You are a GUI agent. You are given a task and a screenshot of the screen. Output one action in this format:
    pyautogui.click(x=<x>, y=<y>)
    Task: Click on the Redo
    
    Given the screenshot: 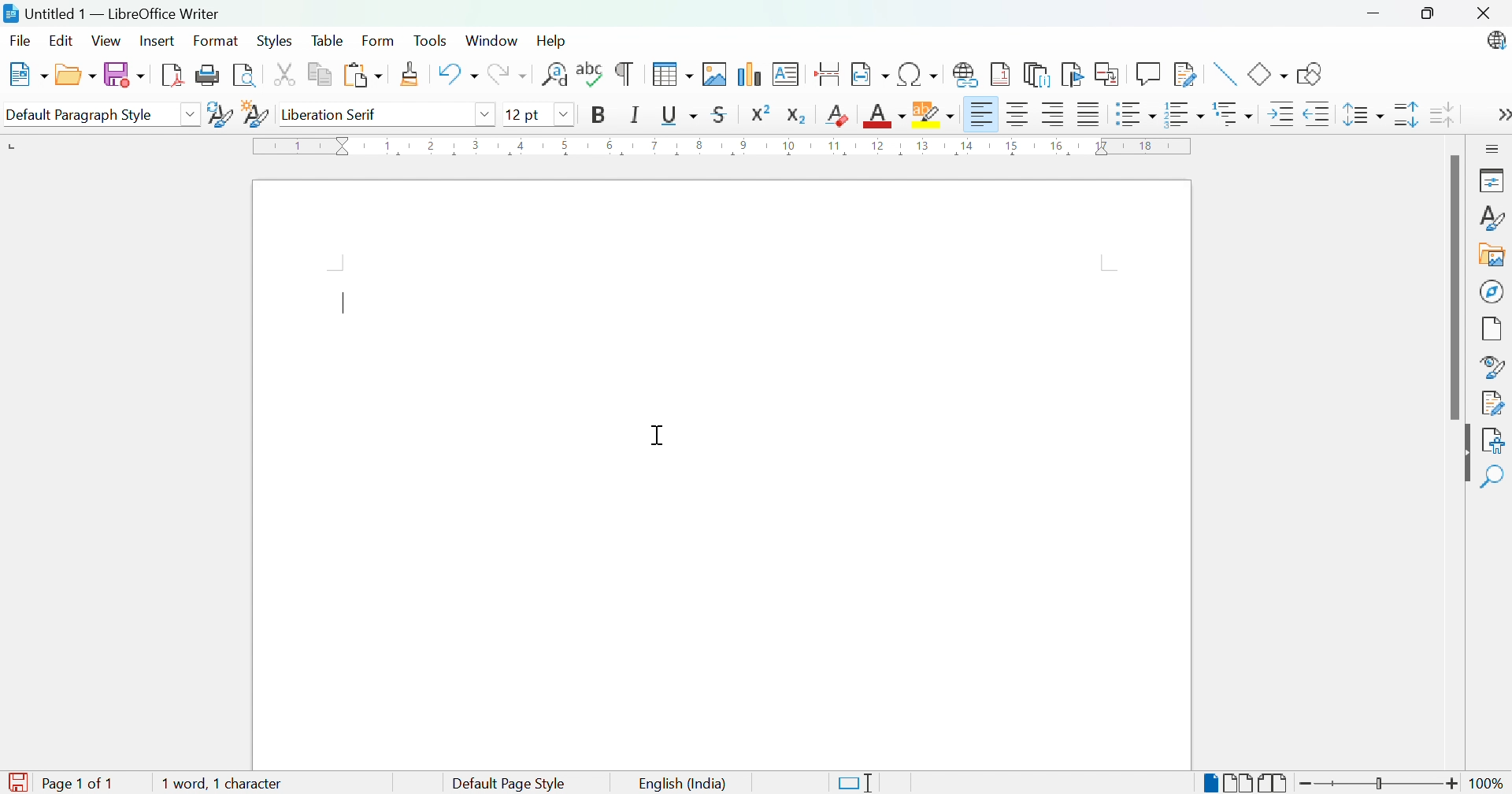 What is the action you would take?
    pyautogui.click(x=509, y=76)
    